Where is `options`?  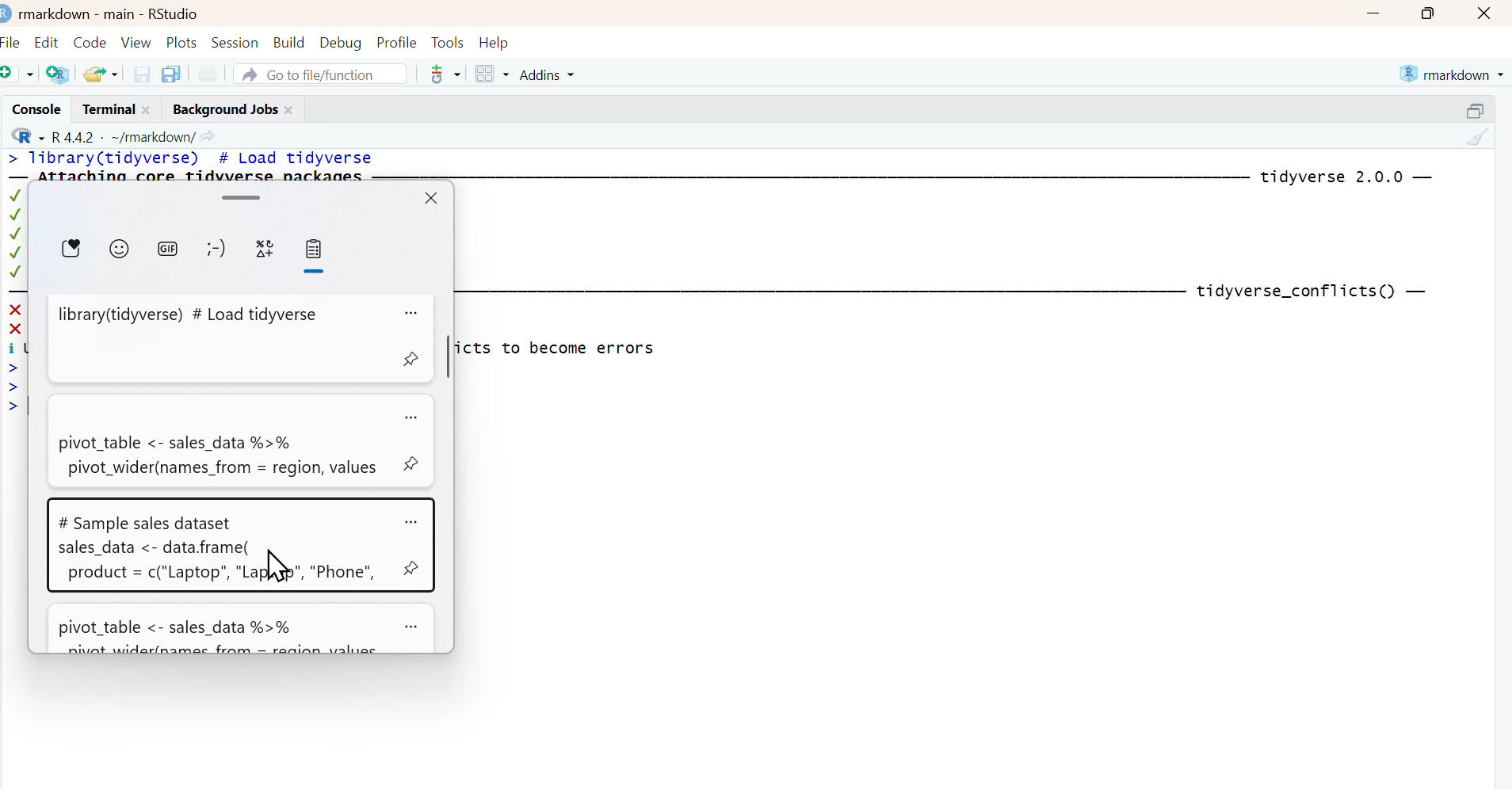
options is located at coordinates (412, 521).